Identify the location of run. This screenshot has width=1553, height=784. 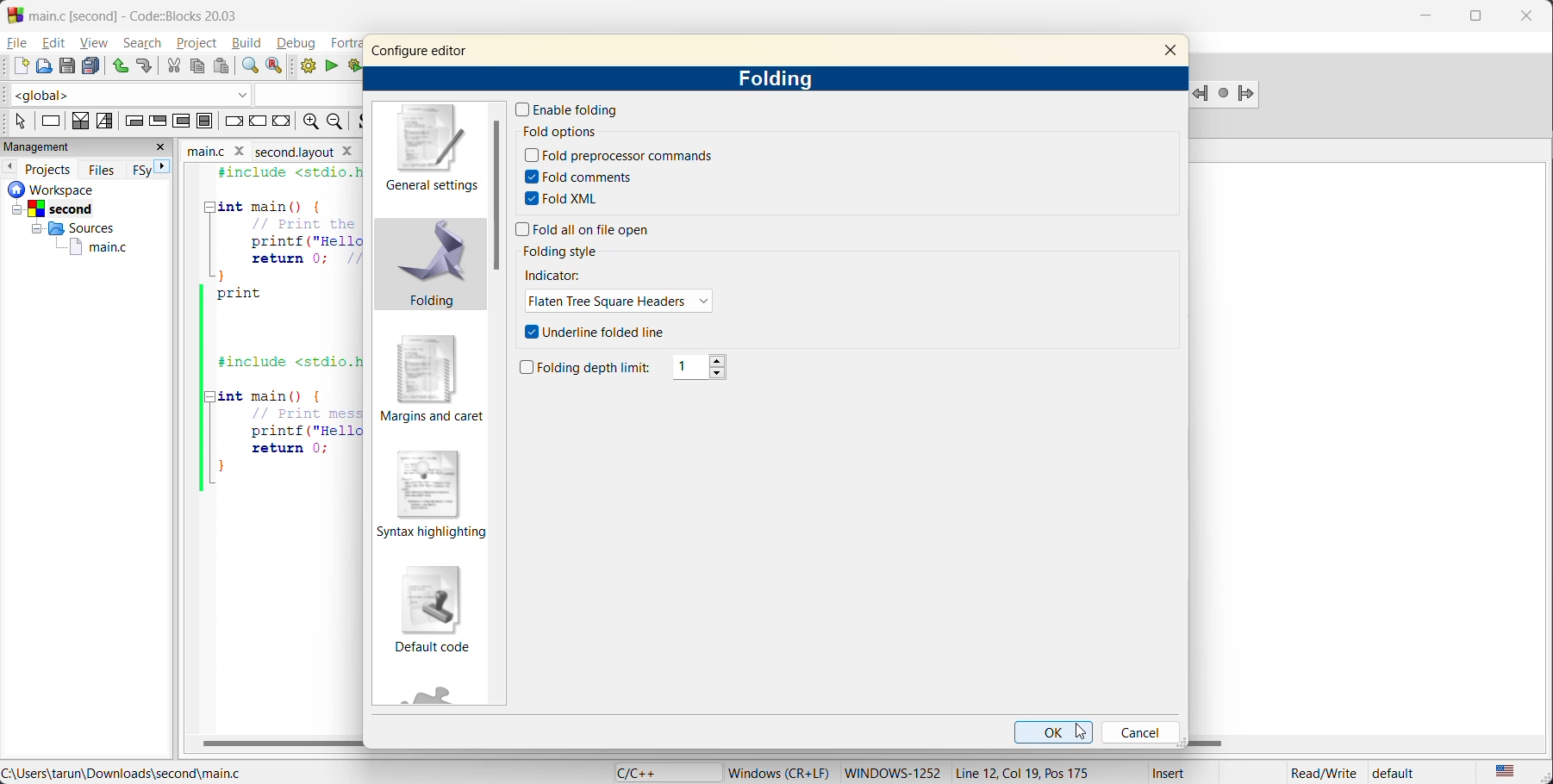
(332, 65).